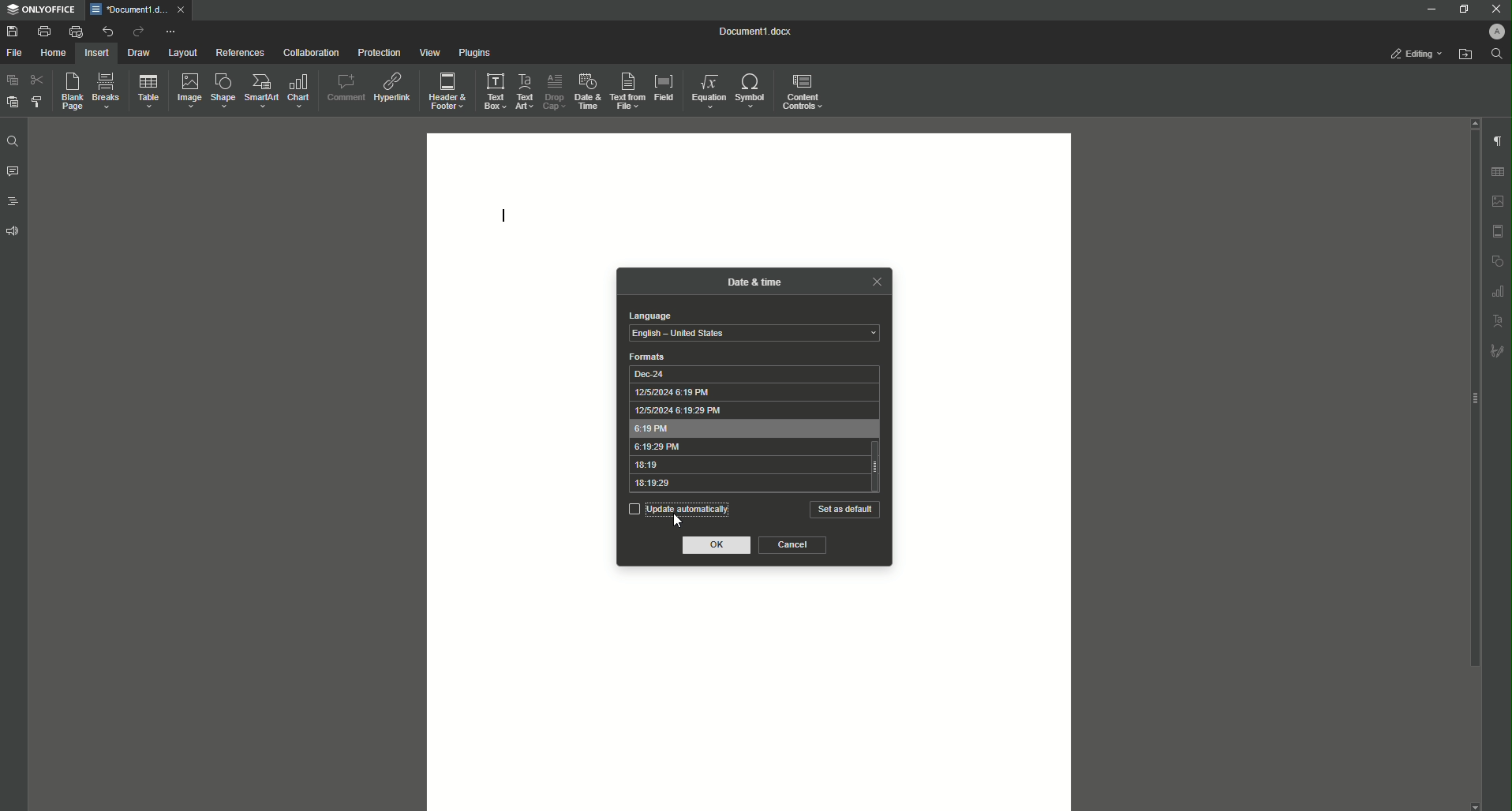 The width and height of the screenshot is (1512, 811). I want to click on scroll down, so click(1475, 806).